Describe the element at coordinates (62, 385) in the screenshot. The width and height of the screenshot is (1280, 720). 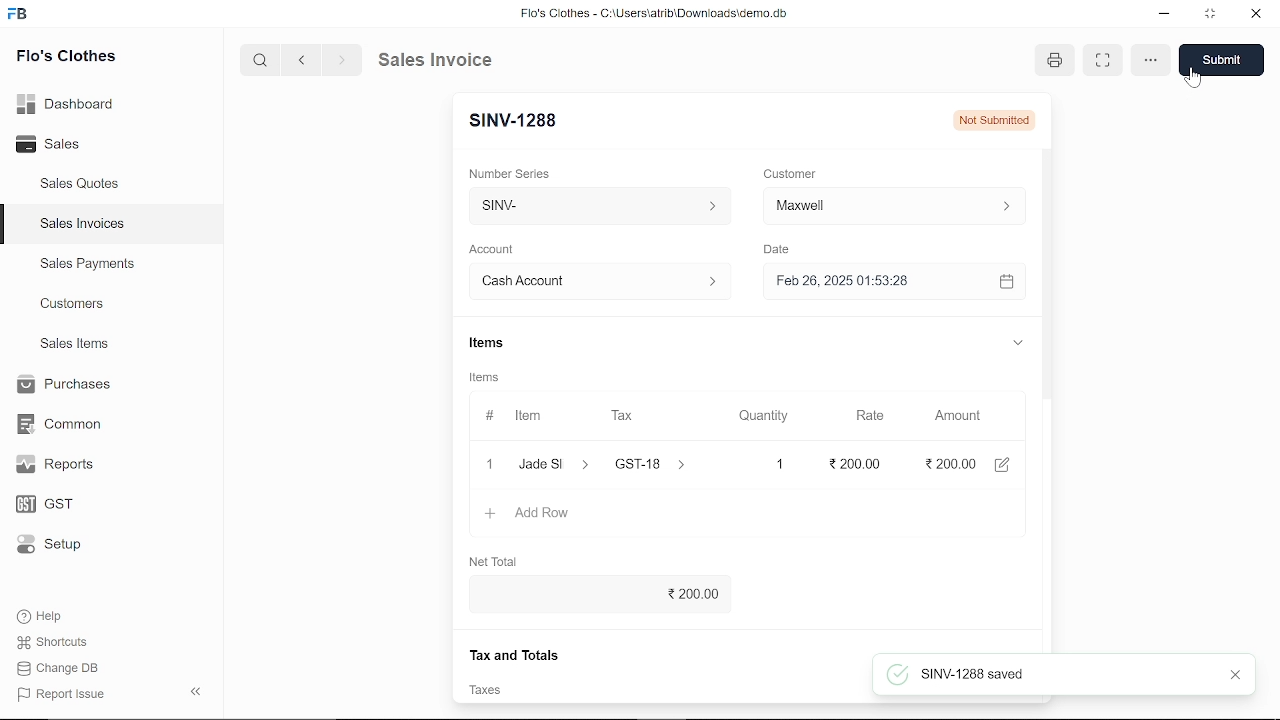
I see `Purchases` at that location.